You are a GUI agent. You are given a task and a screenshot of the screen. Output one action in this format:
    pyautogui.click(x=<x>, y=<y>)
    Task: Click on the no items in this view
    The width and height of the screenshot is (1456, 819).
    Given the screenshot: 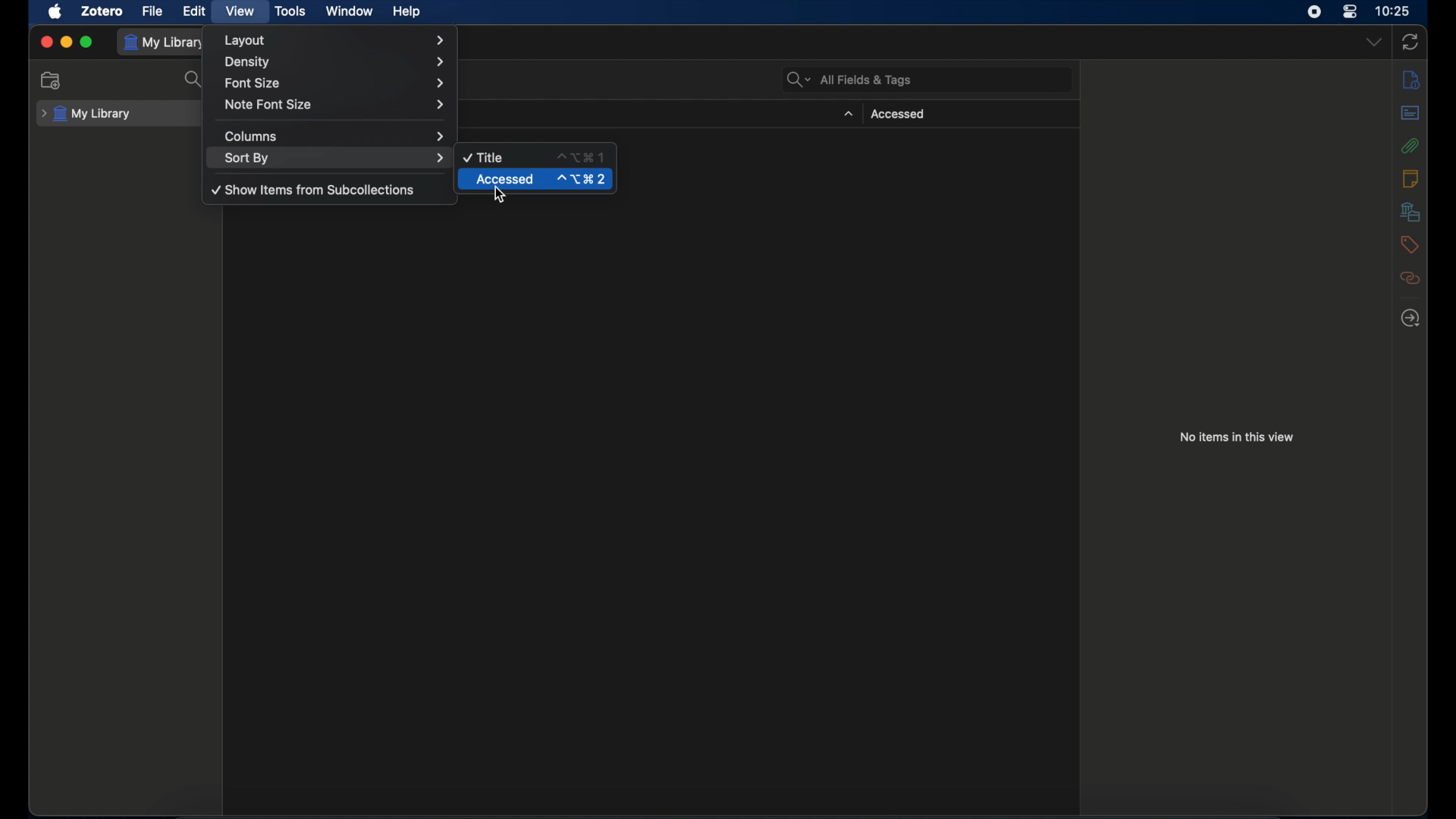 What is the action you would take?
    pyautogui.click(x=1237, y=437)
    